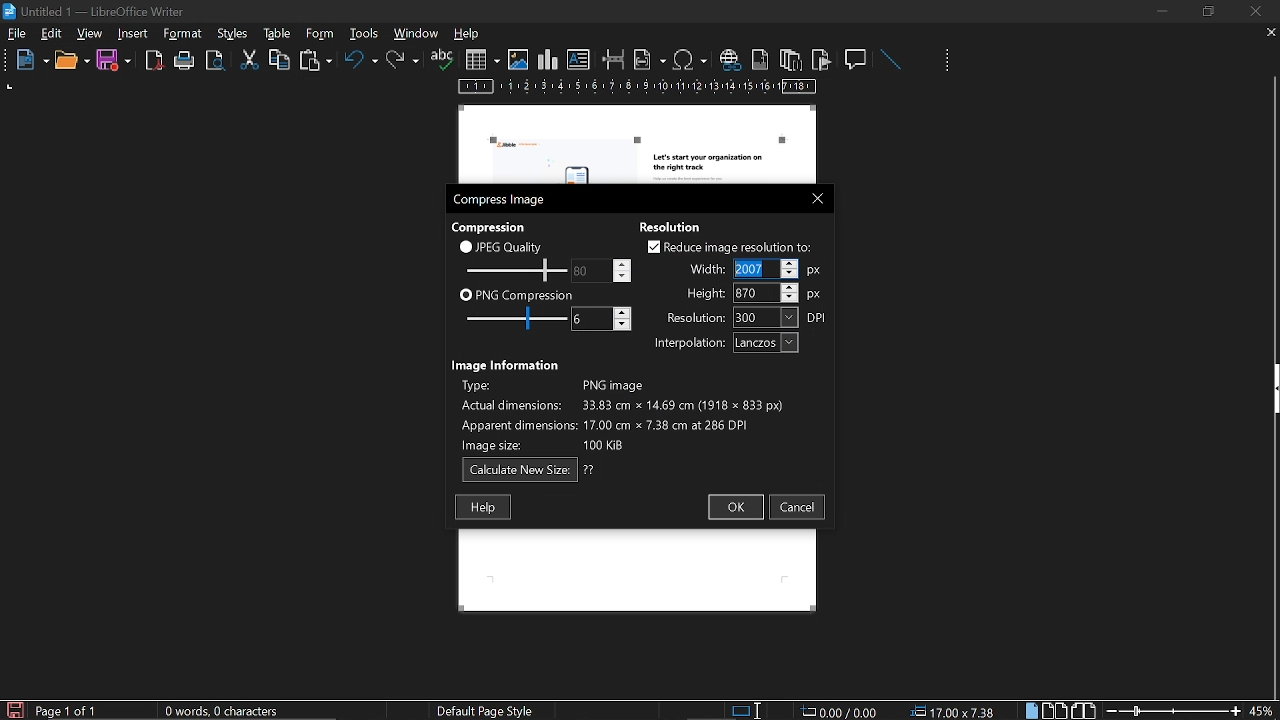 The height and width of the screenshot is (720, 1280). Describe the element at coordinates (758, 59) in the screenshot. I see `insert footnote` at that location.